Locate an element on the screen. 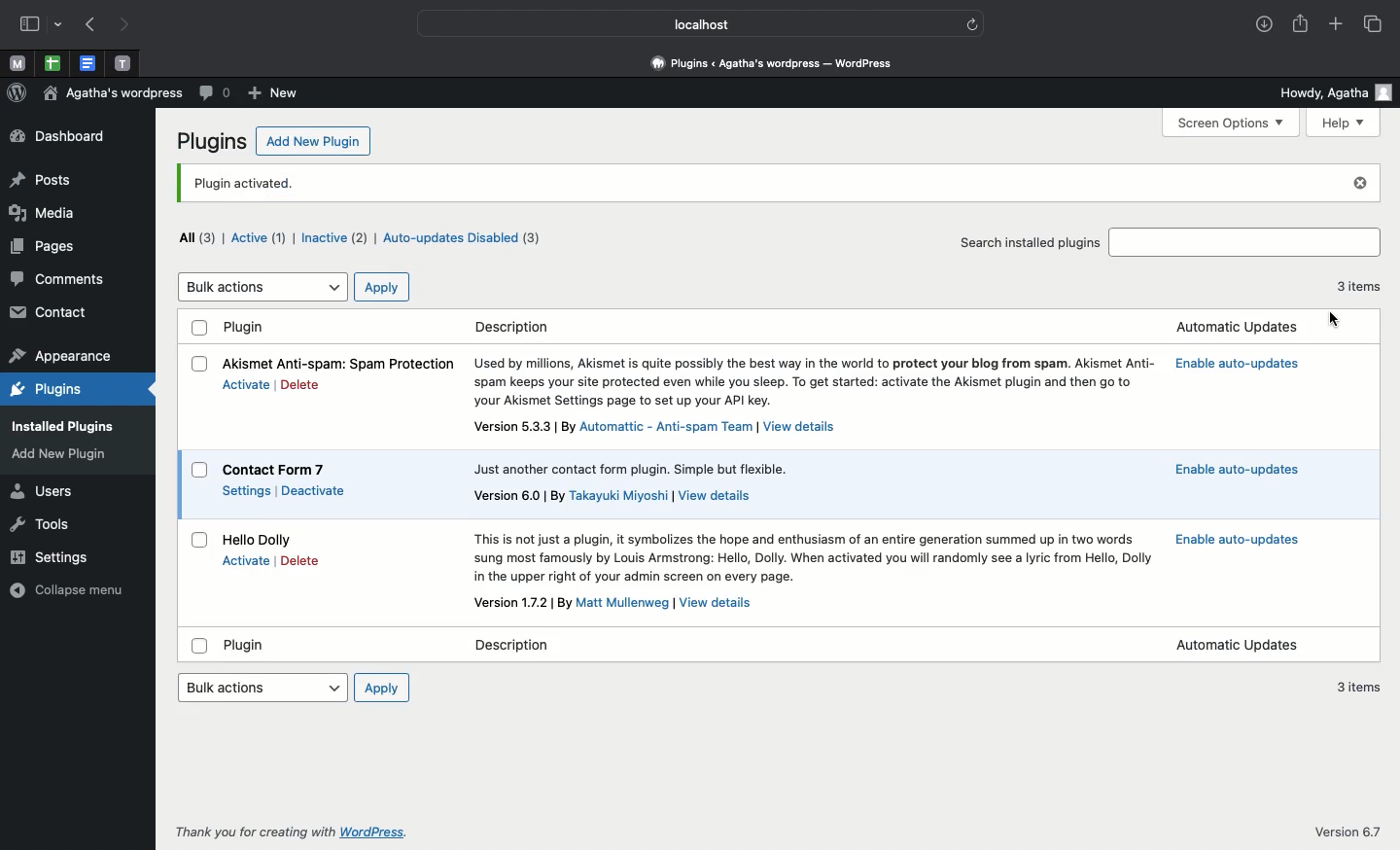 Image resolution: width=1400 pixels, height=850 pixels. comments is located at coordinates (58, 279).